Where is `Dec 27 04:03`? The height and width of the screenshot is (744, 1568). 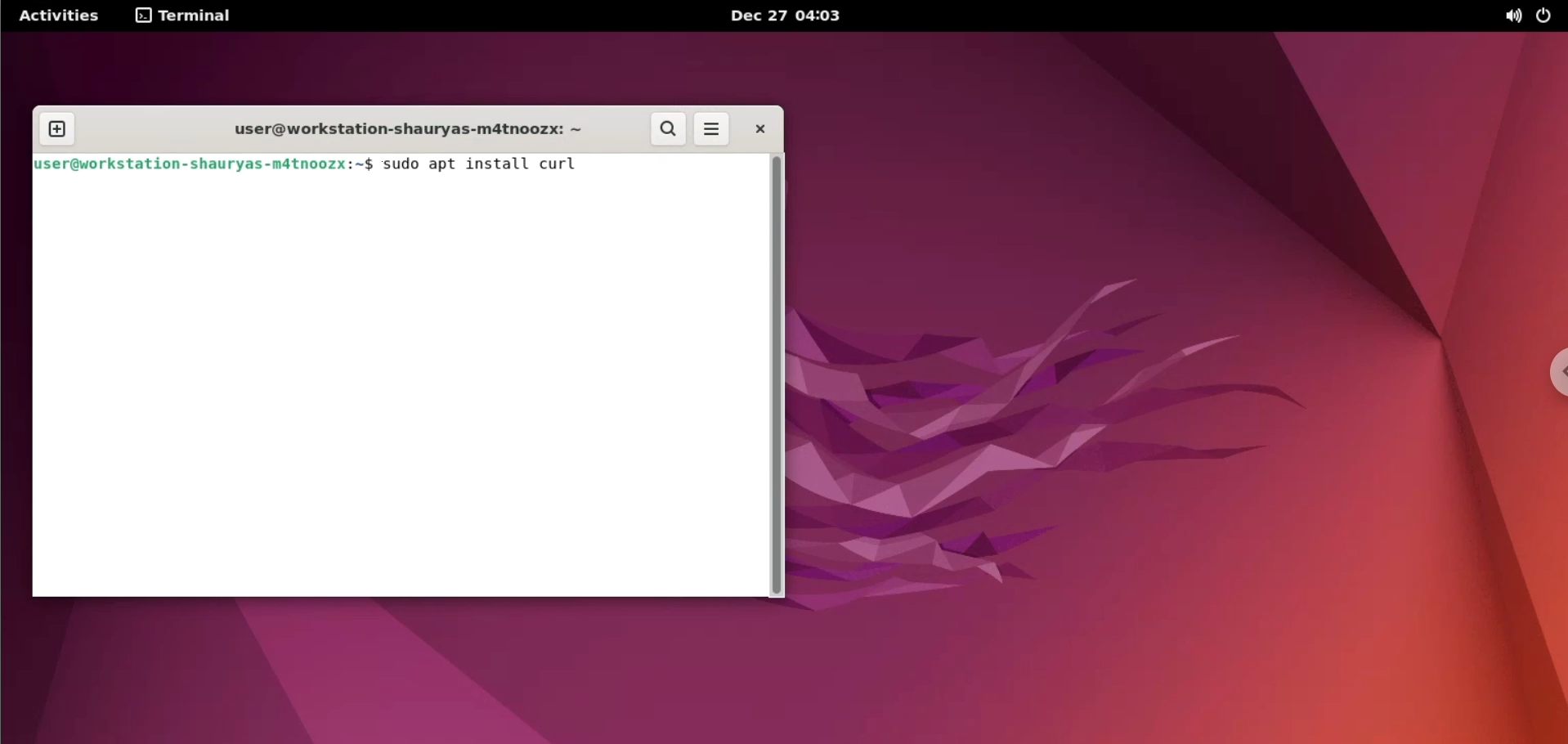 Dec 27 04:03 is located at coordinates (791, 16).